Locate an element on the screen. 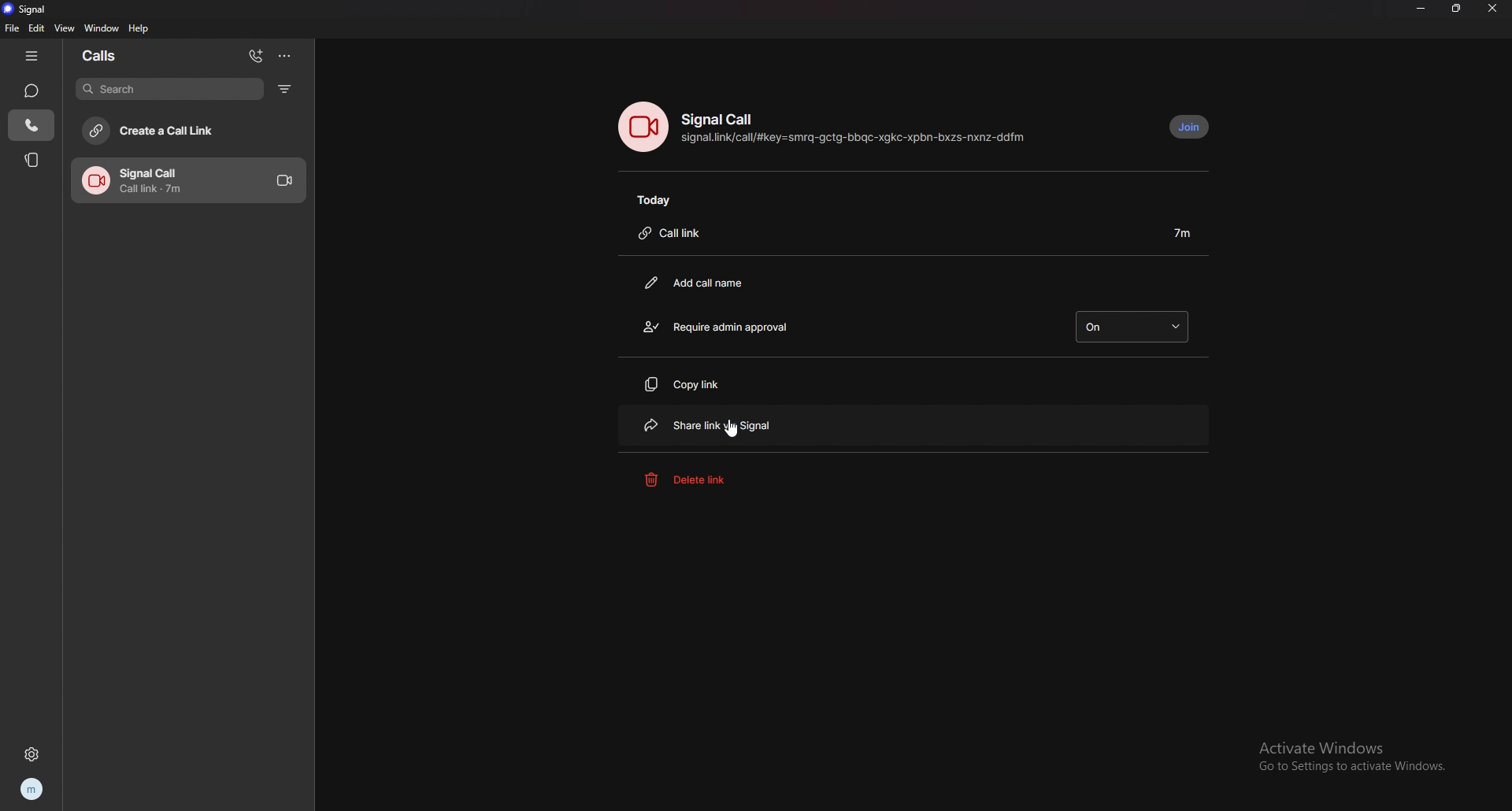 Image resolution: width=1512 pixels, height=811 pixels. minimize is located at coordinates (1421, 9).